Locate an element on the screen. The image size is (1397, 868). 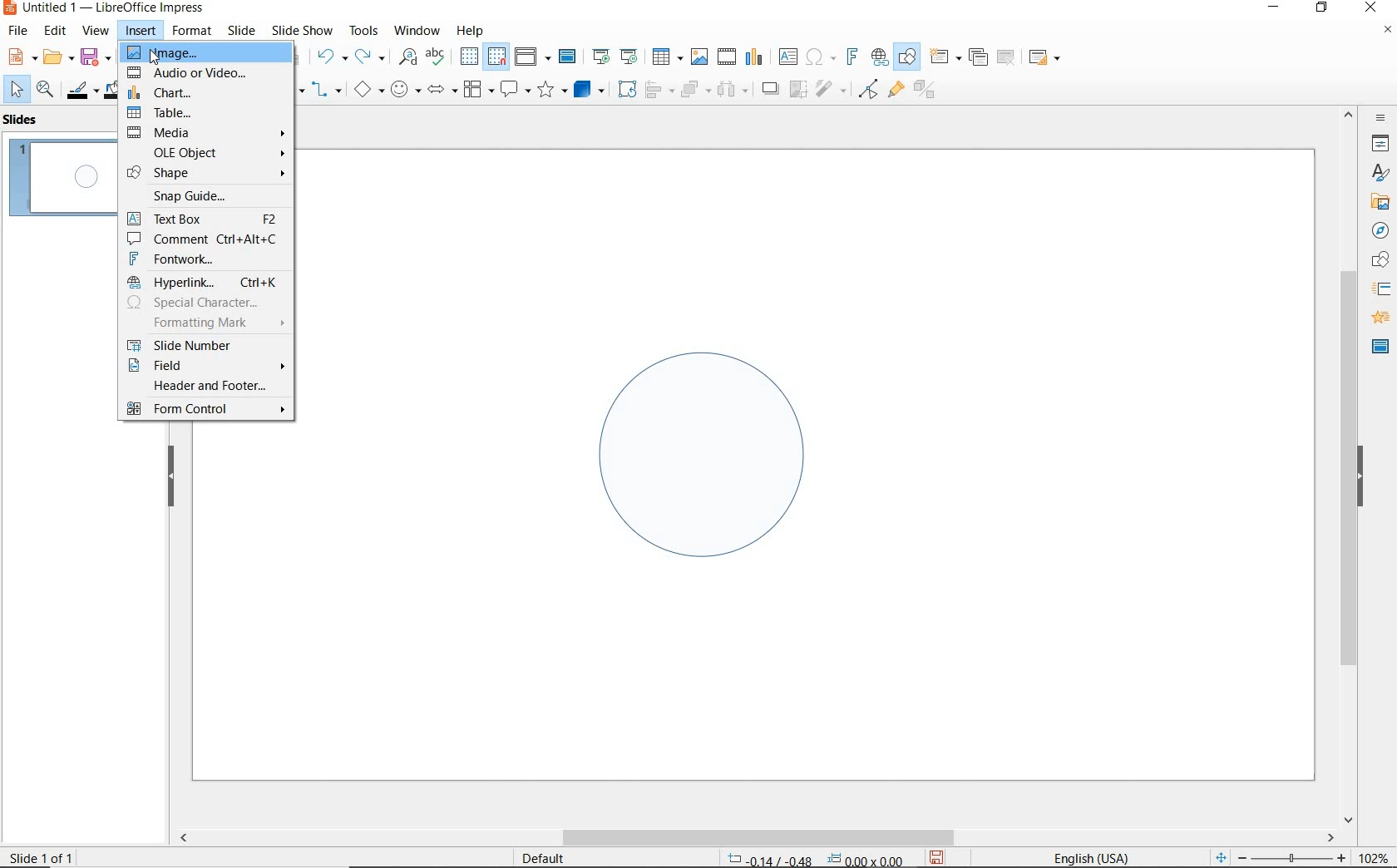
scrollbar is located at coordinates (1349, 465).